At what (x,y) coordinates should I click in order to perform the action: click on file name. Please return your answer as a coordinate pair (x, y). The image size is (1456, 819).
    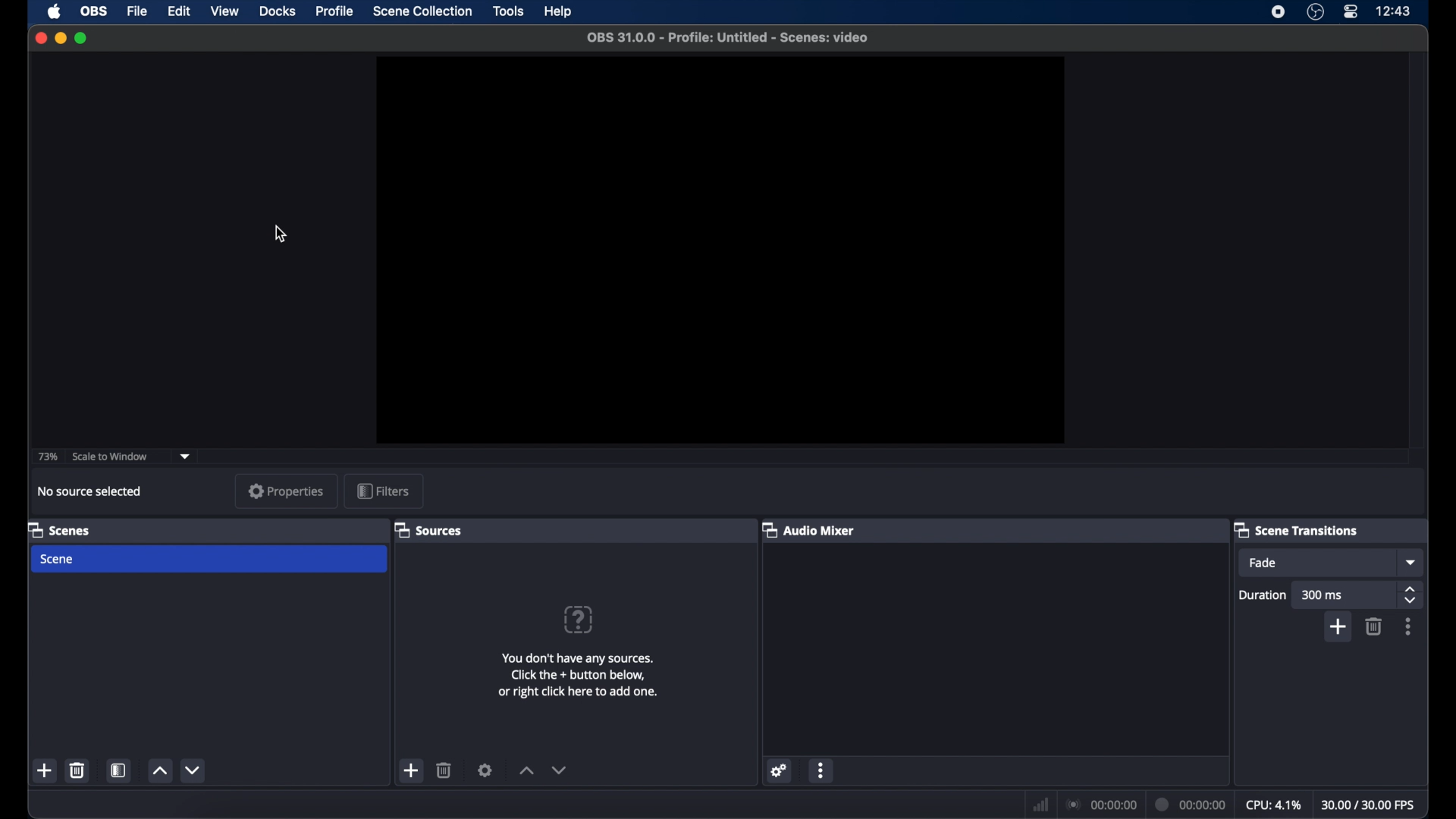
    Looking at the image, I should click on (729, 37).